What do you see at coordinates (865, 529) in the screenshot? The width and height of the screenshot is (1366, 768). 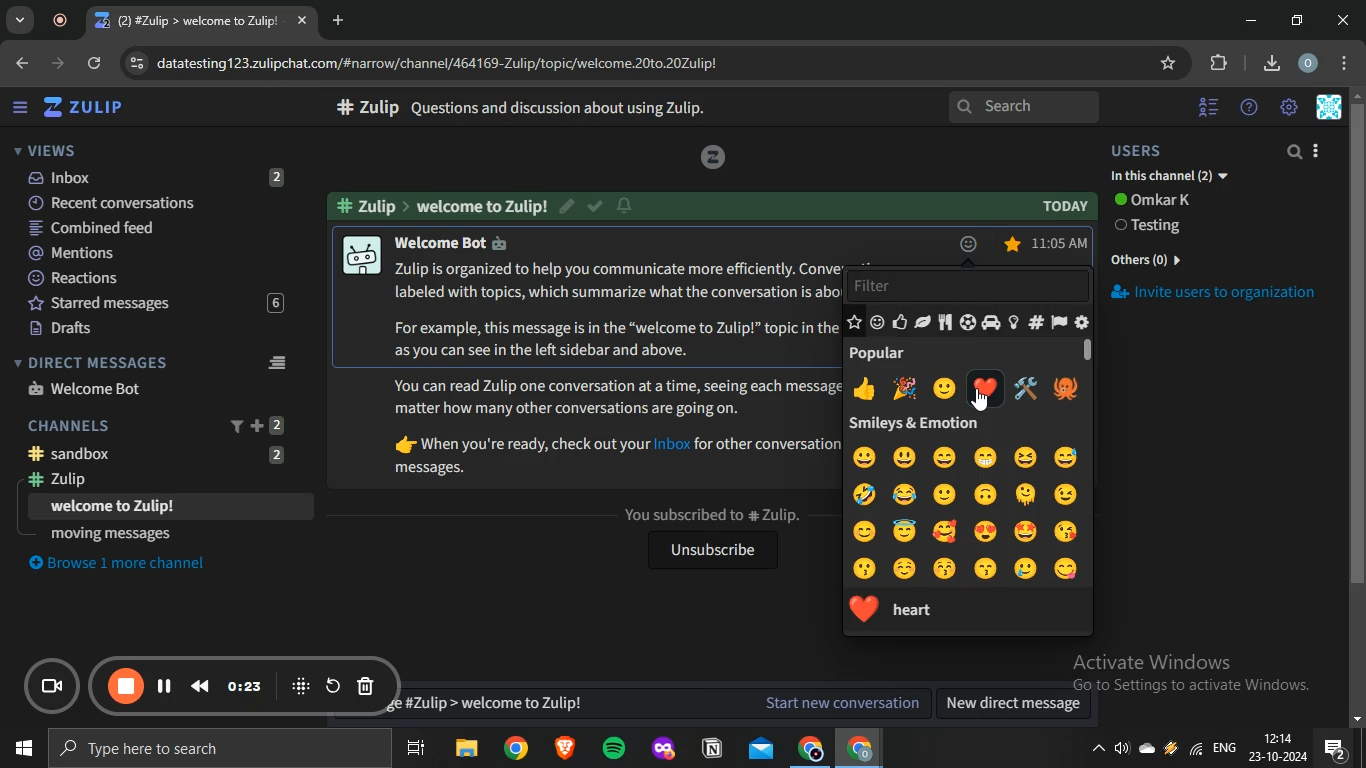 I see `blush` at bounding box center [865, 529].